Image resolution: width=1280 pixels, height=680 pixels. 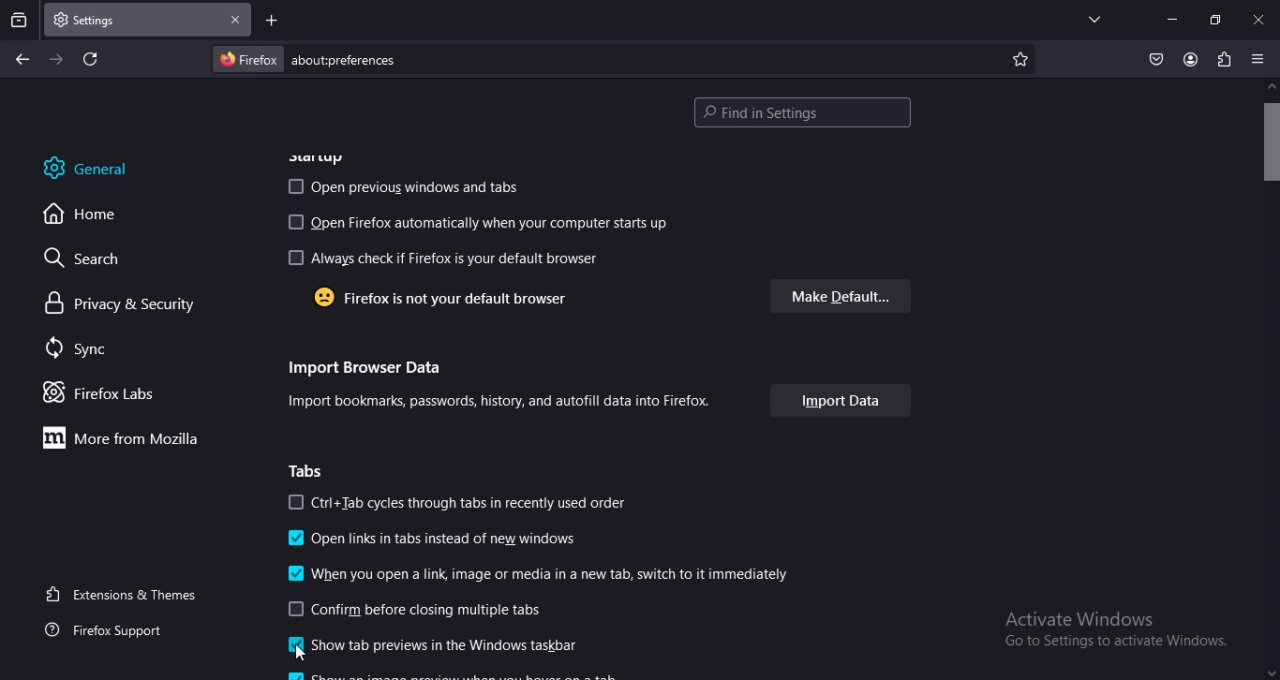 I want to click on open application menu, so click(x=1255, y=59).